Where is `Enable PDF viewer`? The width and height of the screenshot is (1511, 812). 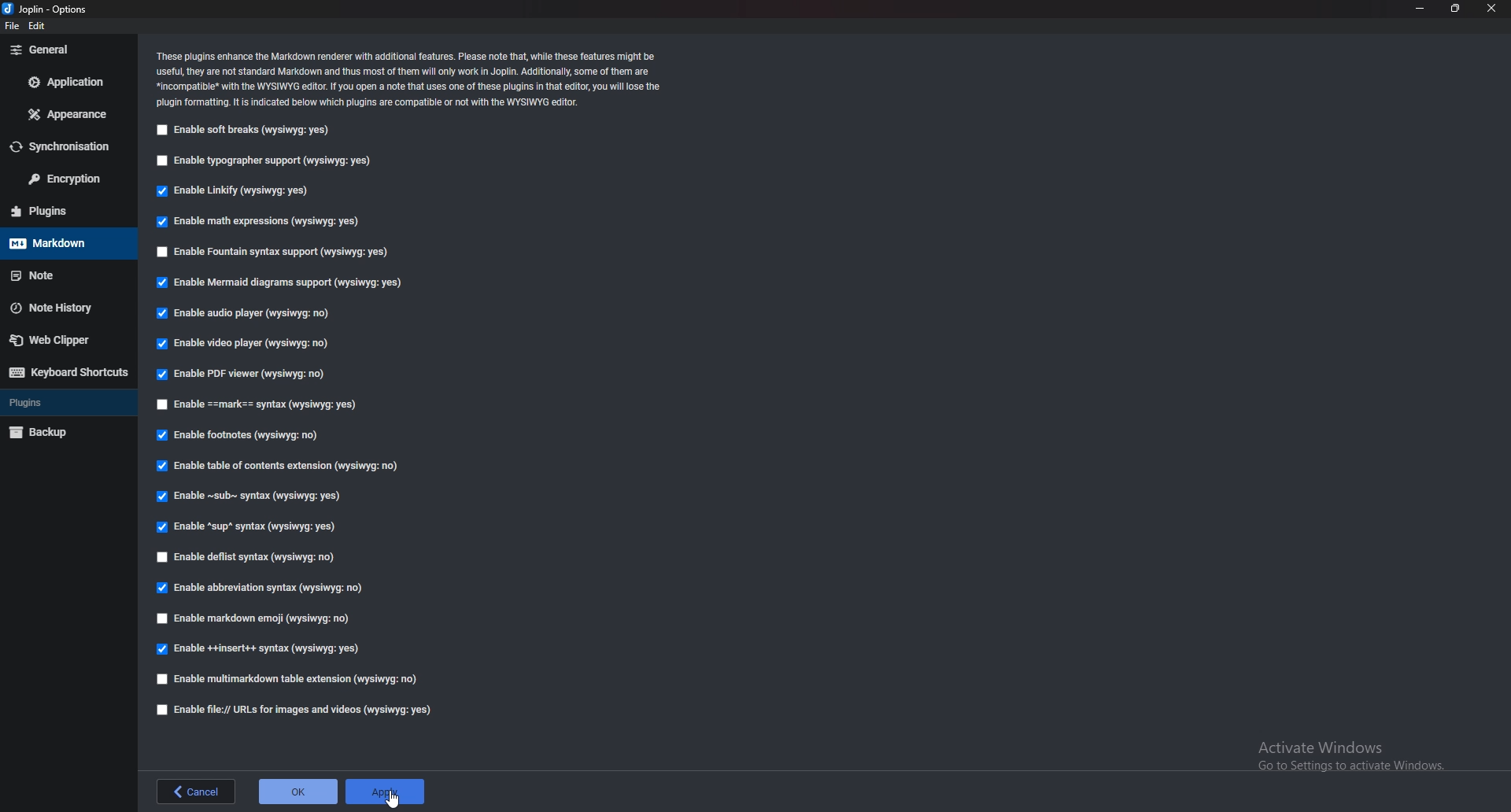
Enable PDF viewer is located at coordinates (235, 375).